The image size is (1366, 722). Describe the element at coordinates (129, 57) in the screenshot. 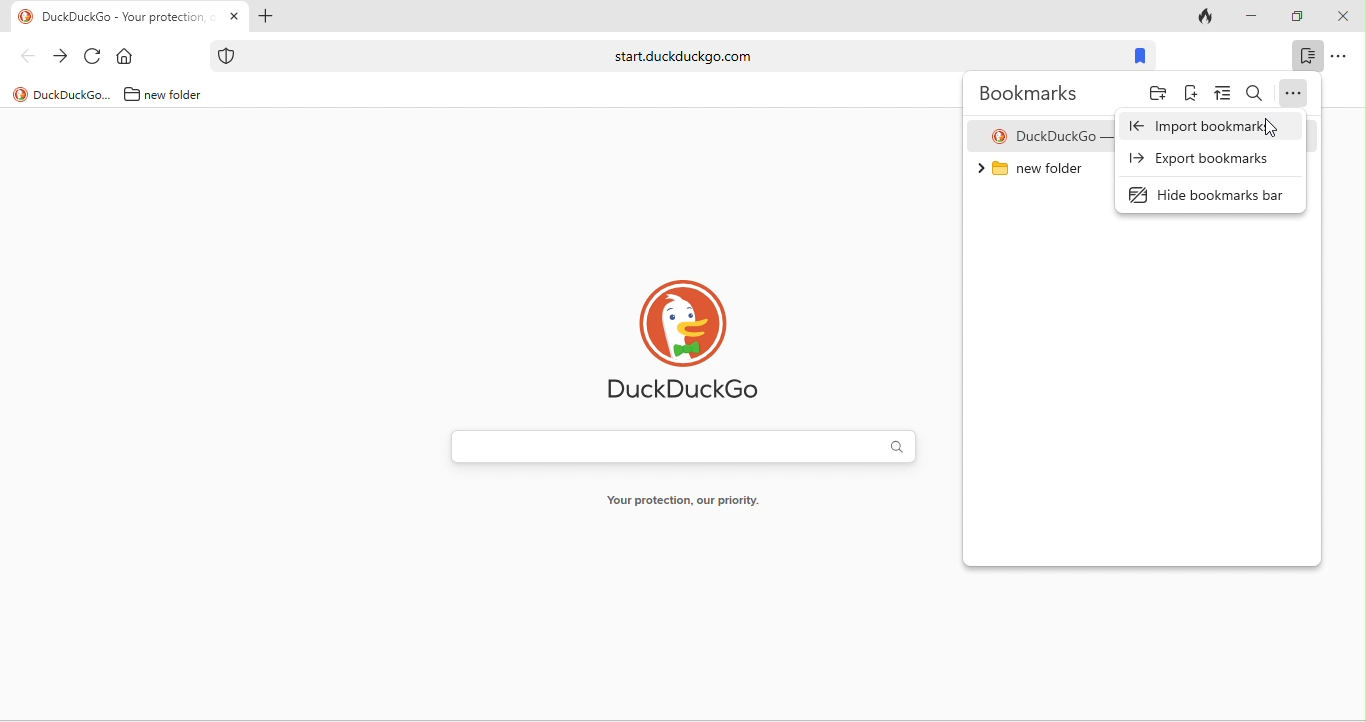

I see `home` at that location.